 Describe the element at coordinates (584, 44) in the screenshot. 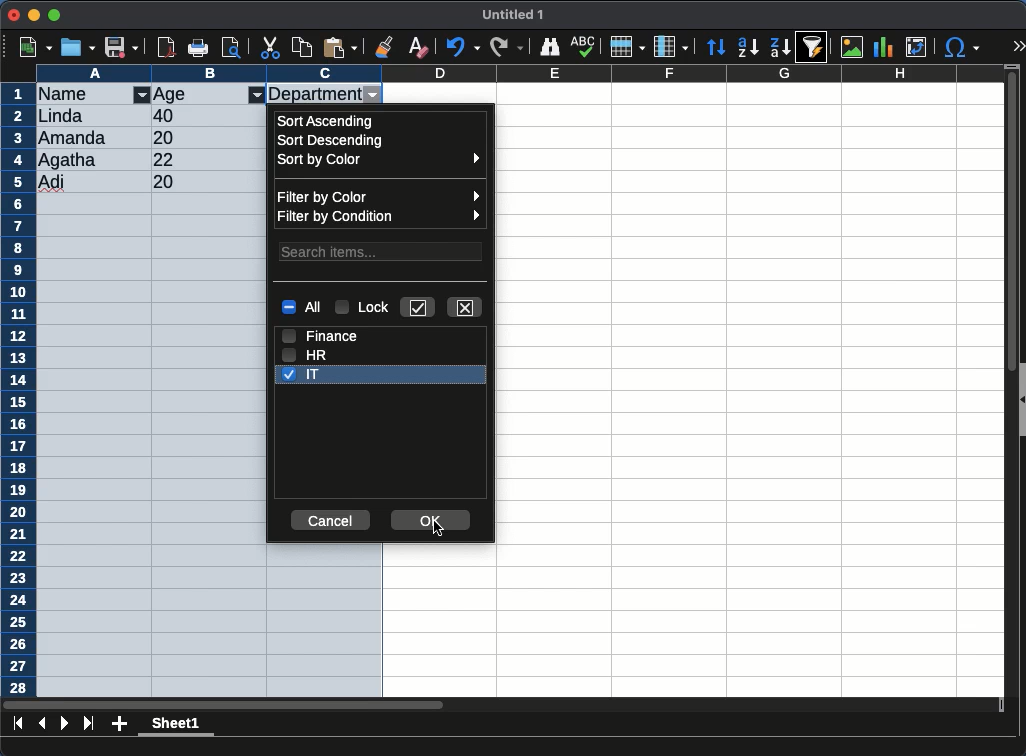

I see `spell check` at that location.